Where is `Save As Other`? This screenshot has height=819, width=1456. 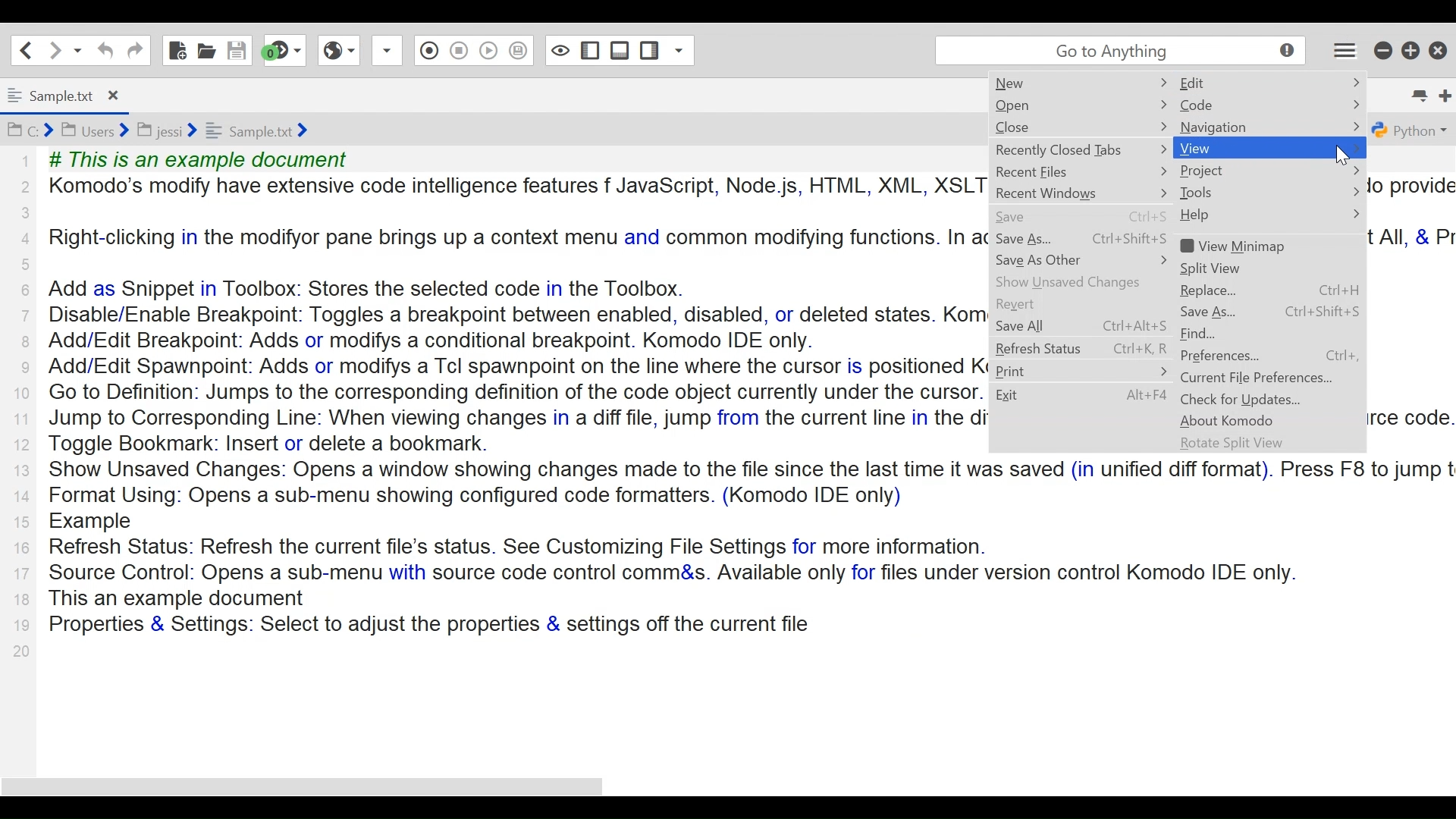 Save As Other is located at coordinates (1046, 260).